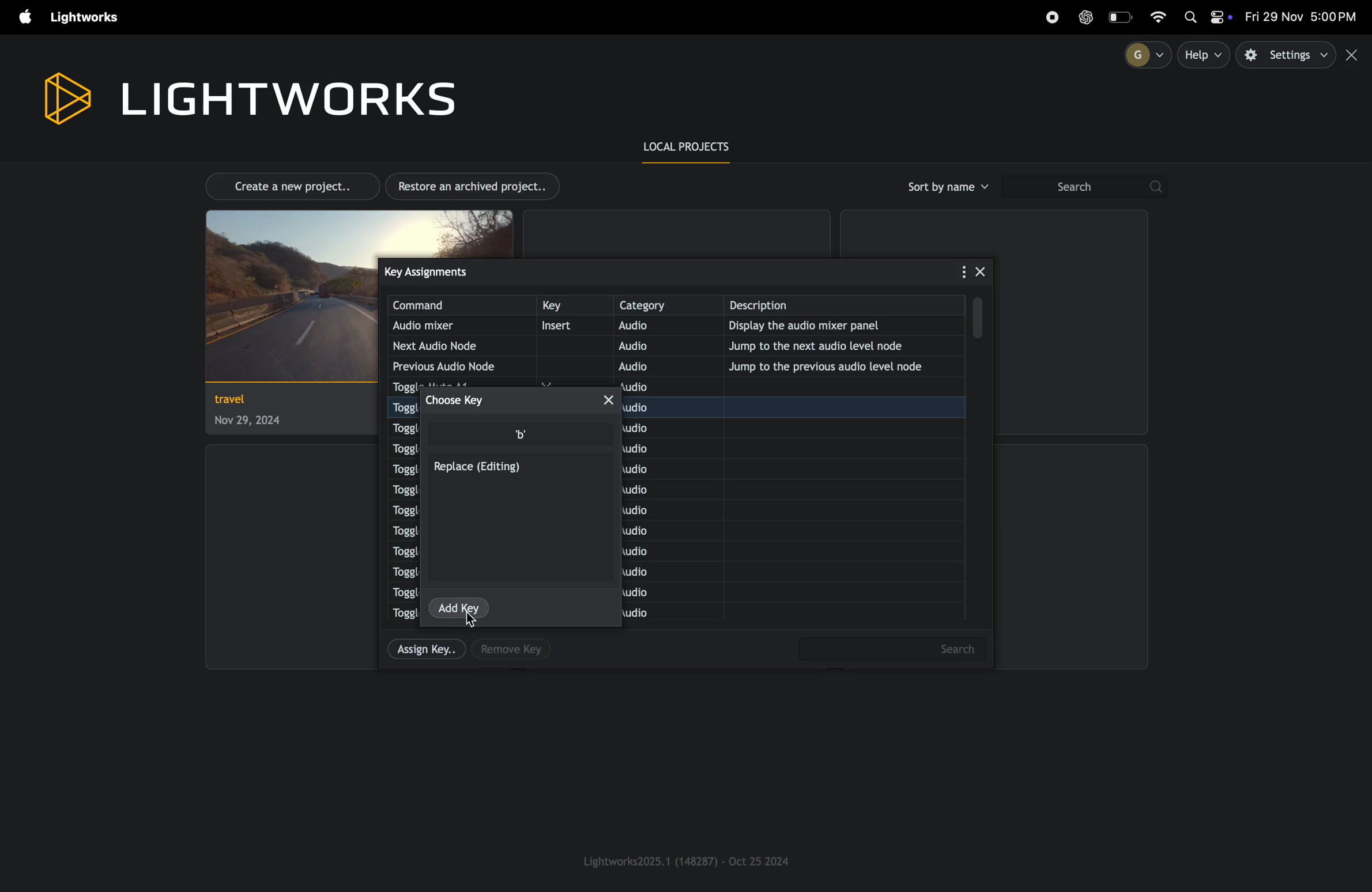 This screenshot has width=1372, height=892. Describe the element at coordinates (477, 621) in the screenshot. I see `cursor` at that location.